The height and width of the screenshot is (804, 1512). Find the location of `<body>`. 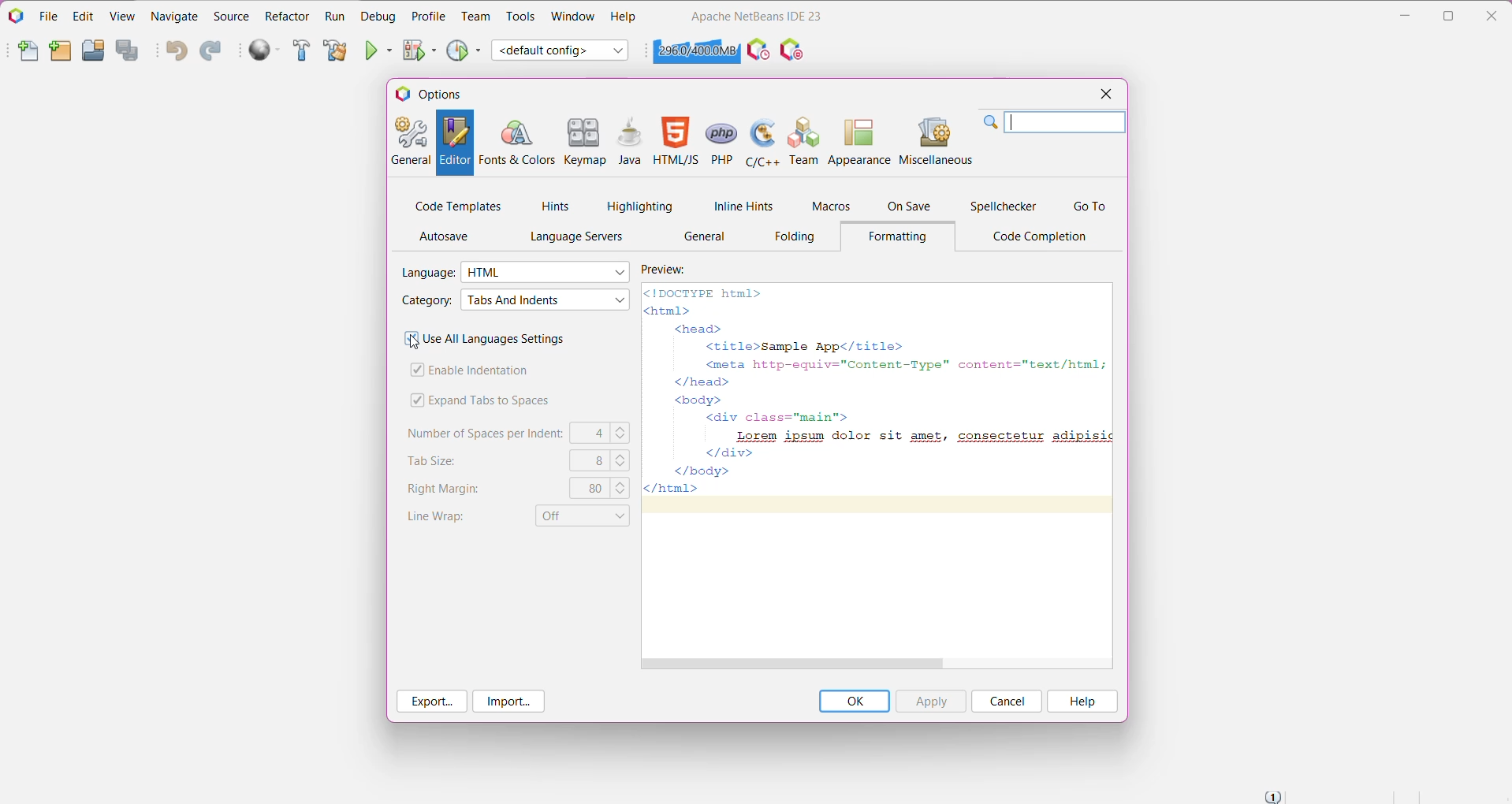

<body> is located at coordinates (692, 399).